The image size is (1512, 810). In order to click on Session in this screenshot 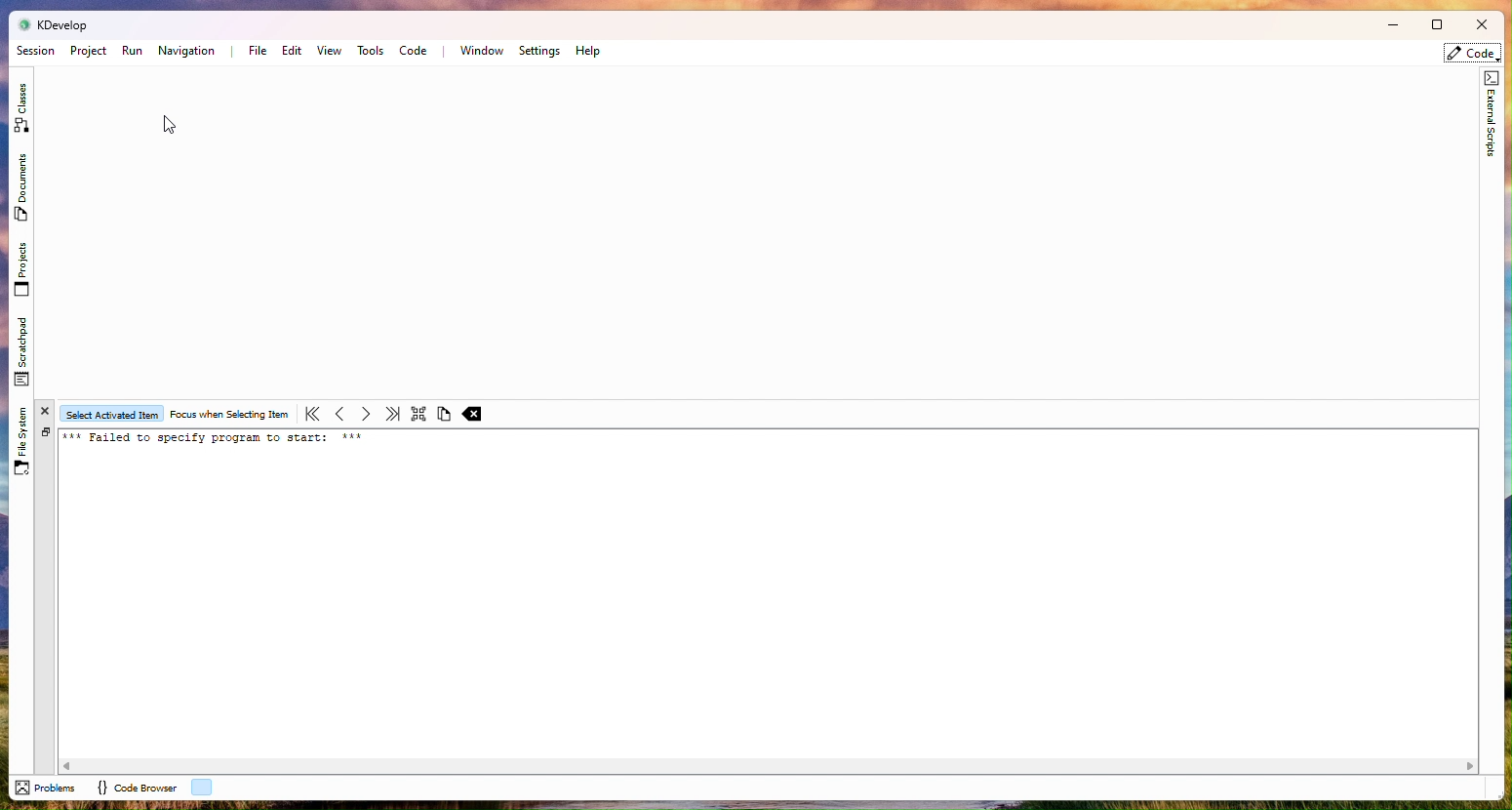, I will do `click(35, 51)`.